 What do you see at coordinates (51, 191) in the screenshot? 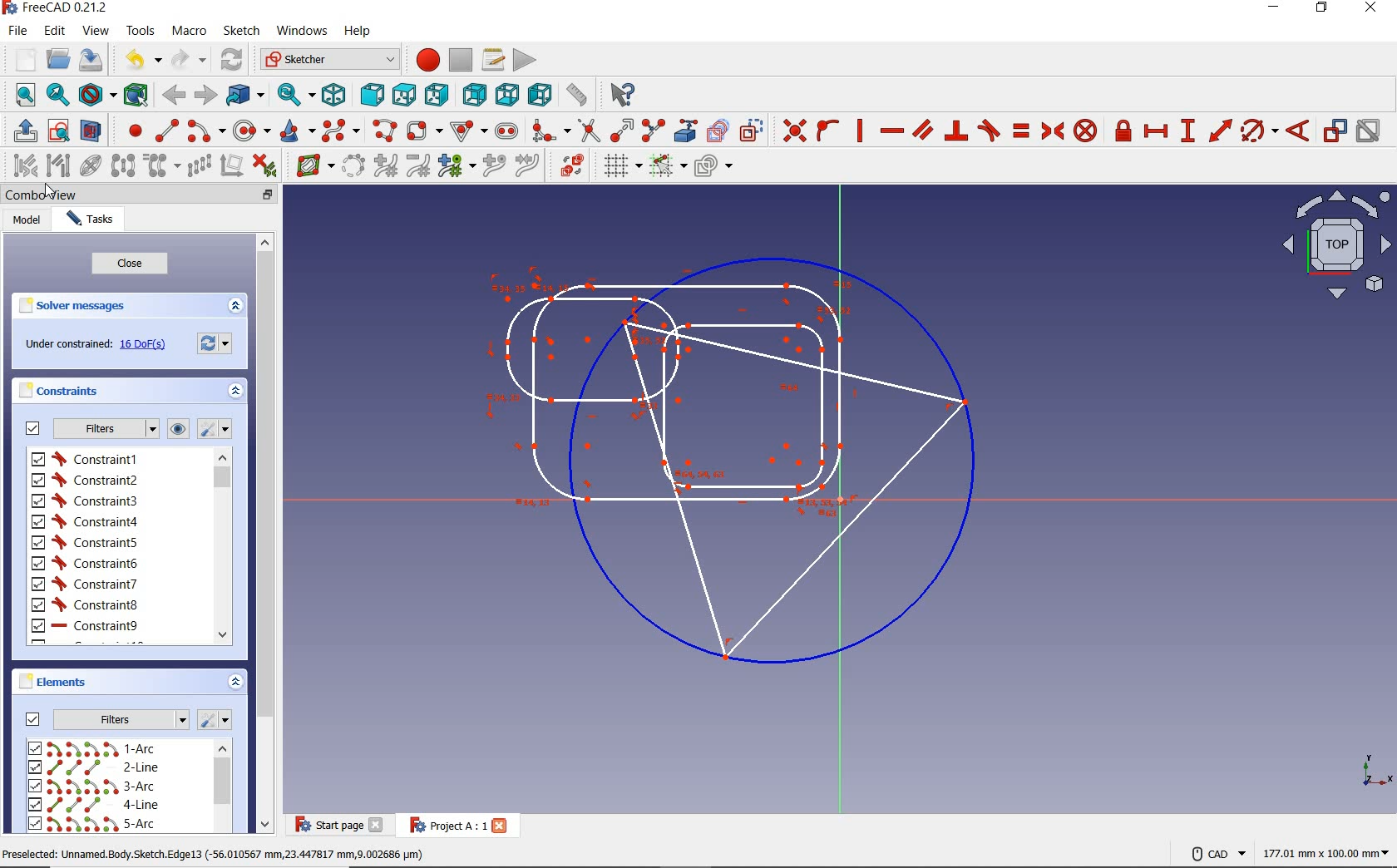
I see `cursor position after saving project` at bounding box center [51, 191].